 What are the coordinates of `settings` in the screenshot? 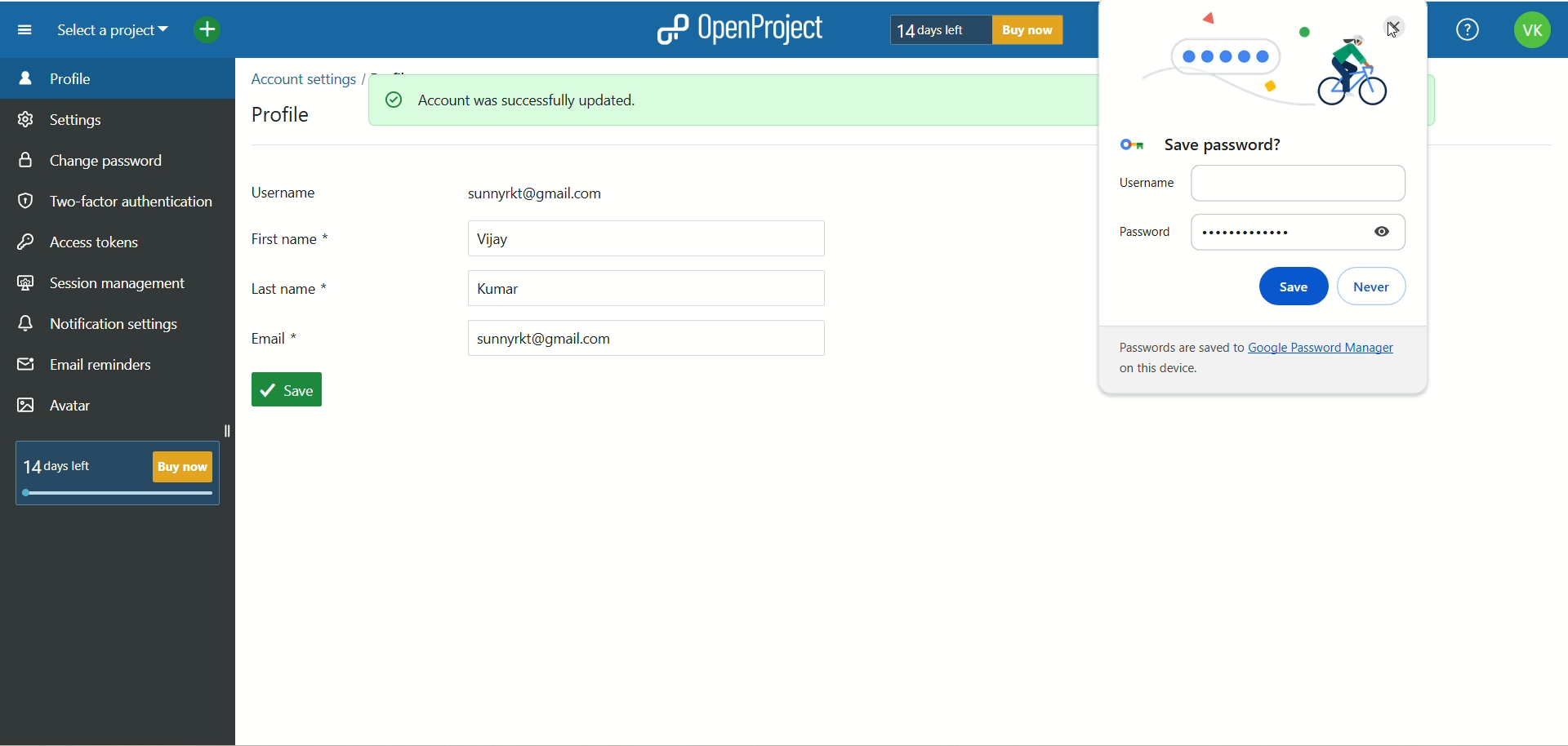 It's located at (61, 122).